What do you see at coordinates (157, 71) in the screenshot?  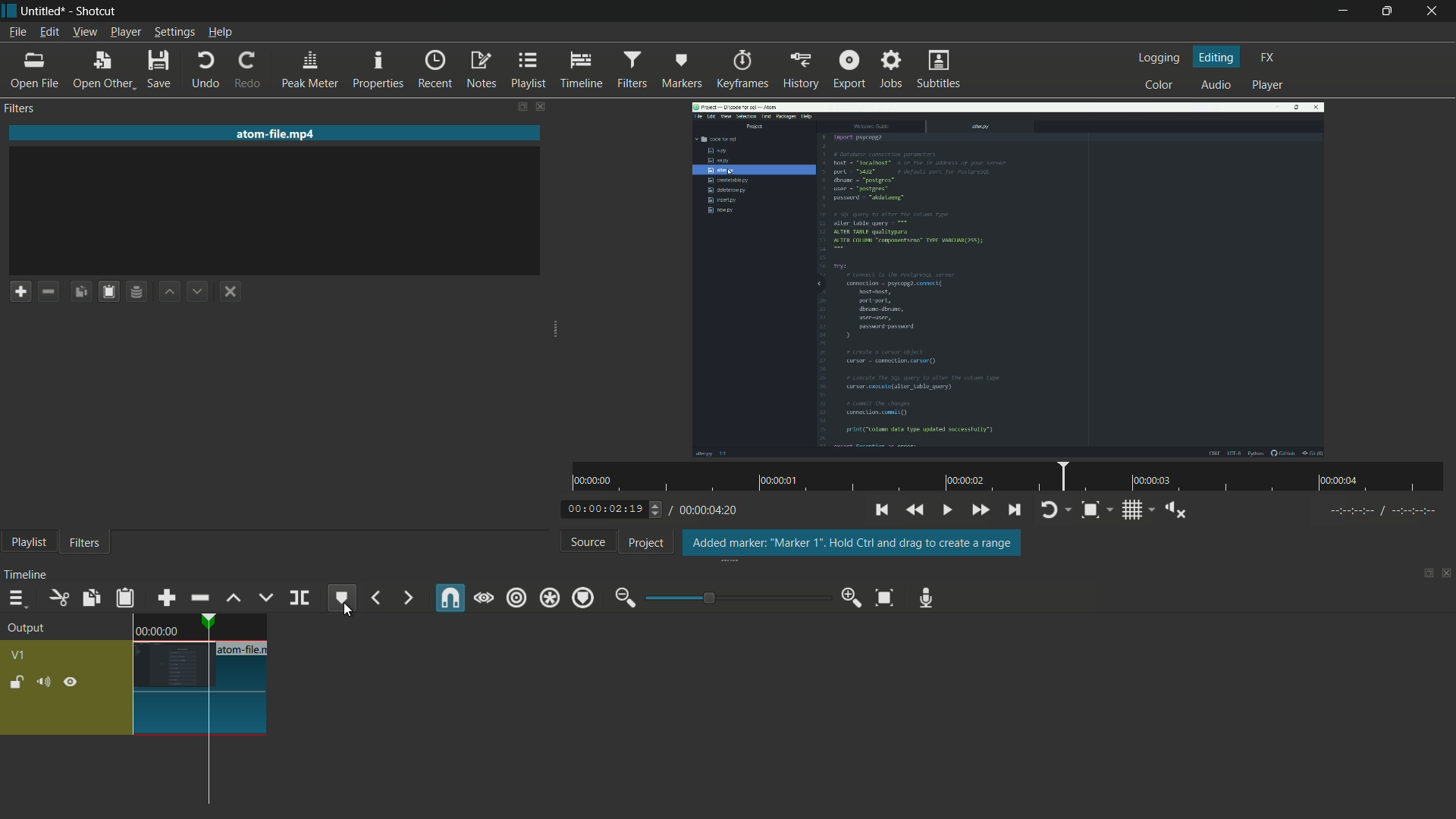 I see `save` at bounding box center [157, 71].